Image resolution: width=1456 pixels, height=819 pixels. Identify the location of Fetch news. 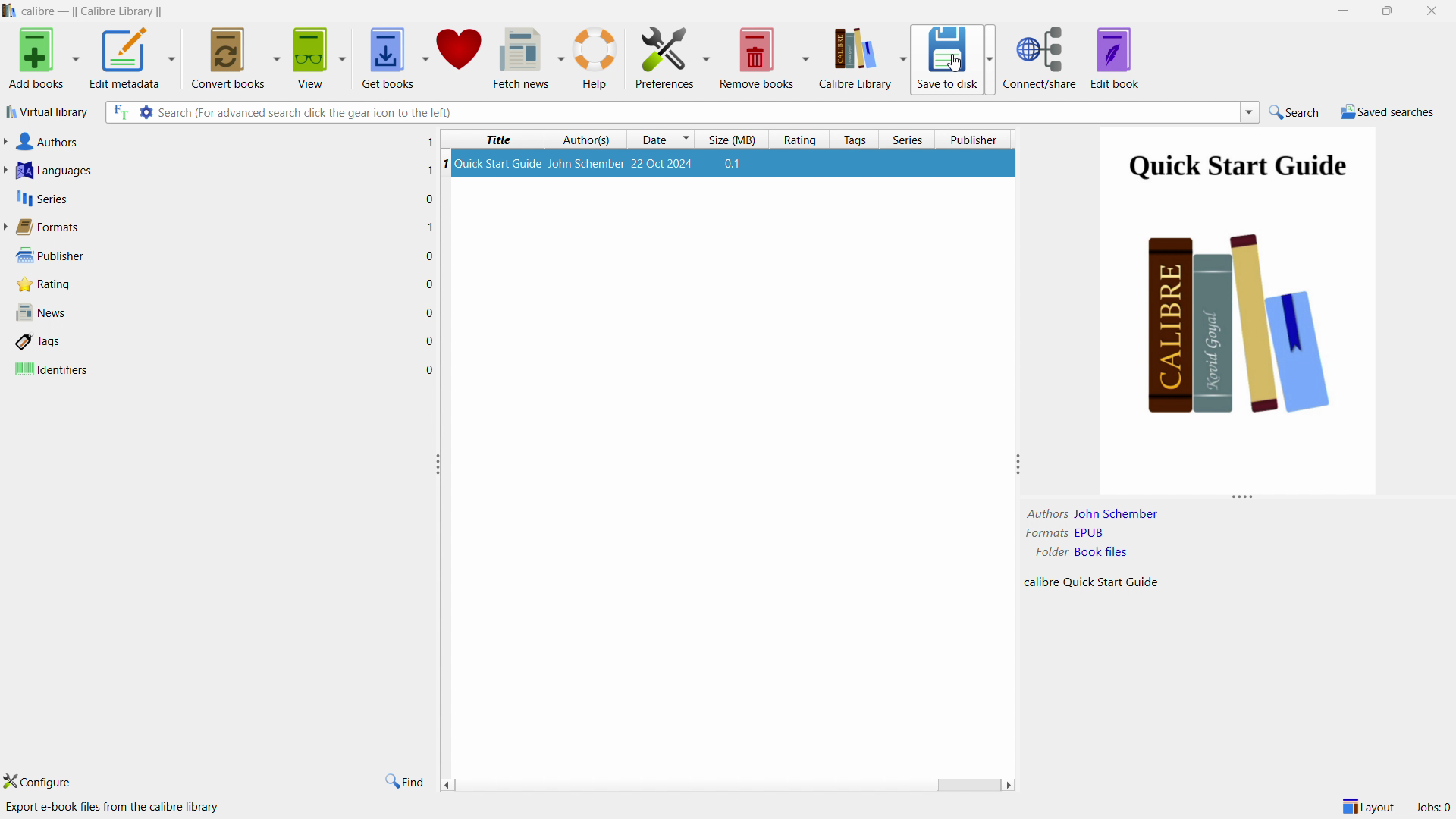
(521, 58).